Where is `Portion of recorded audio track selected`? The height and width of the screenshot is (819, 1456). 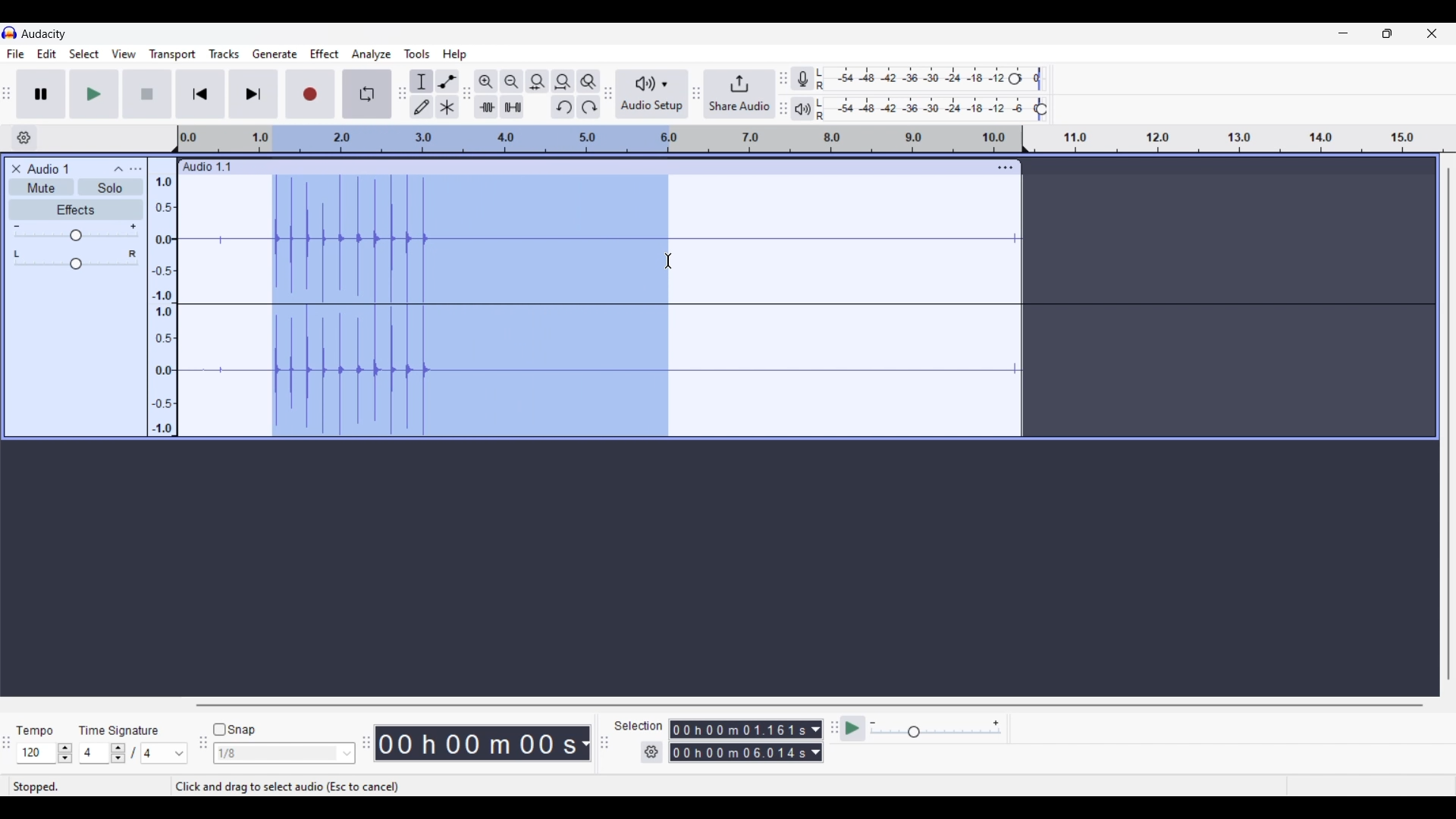
Portion of recorded audio track selected is located at coordinates (469, 306).